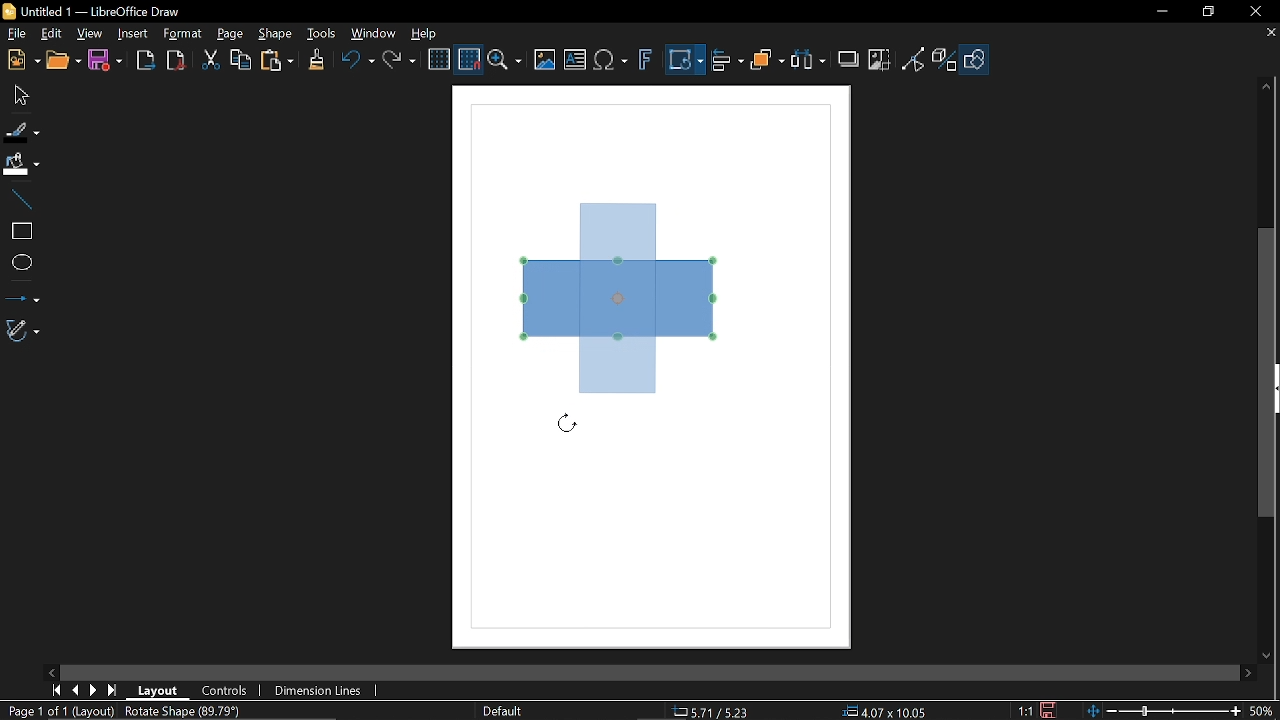 This screenshot has height=720, width=1280. I want to click on Rectangle (direction the diagram is changing to), so click(617, 294).